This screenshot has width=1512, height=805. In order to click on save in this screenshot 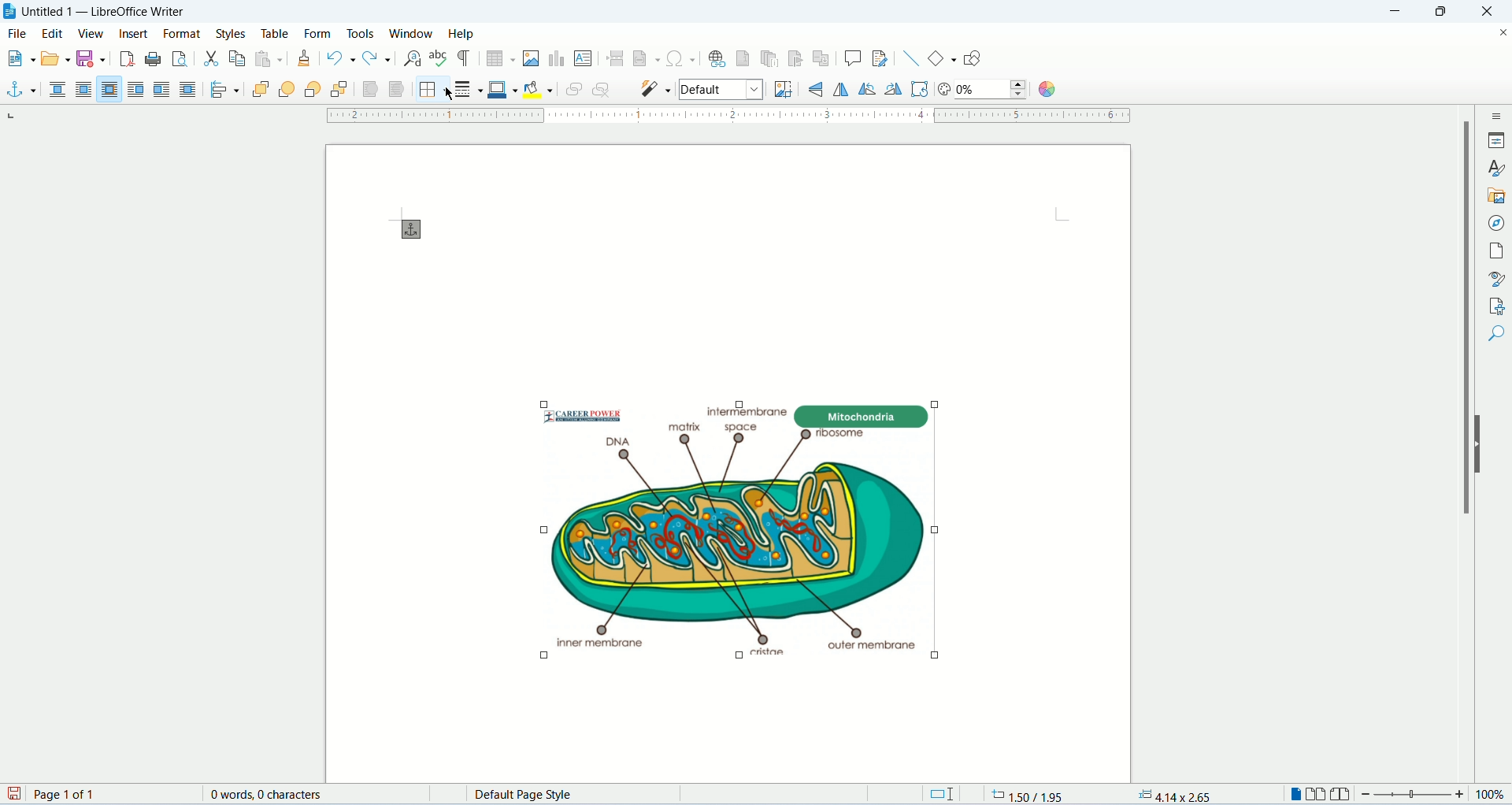, I will do `click(16, 795)`.